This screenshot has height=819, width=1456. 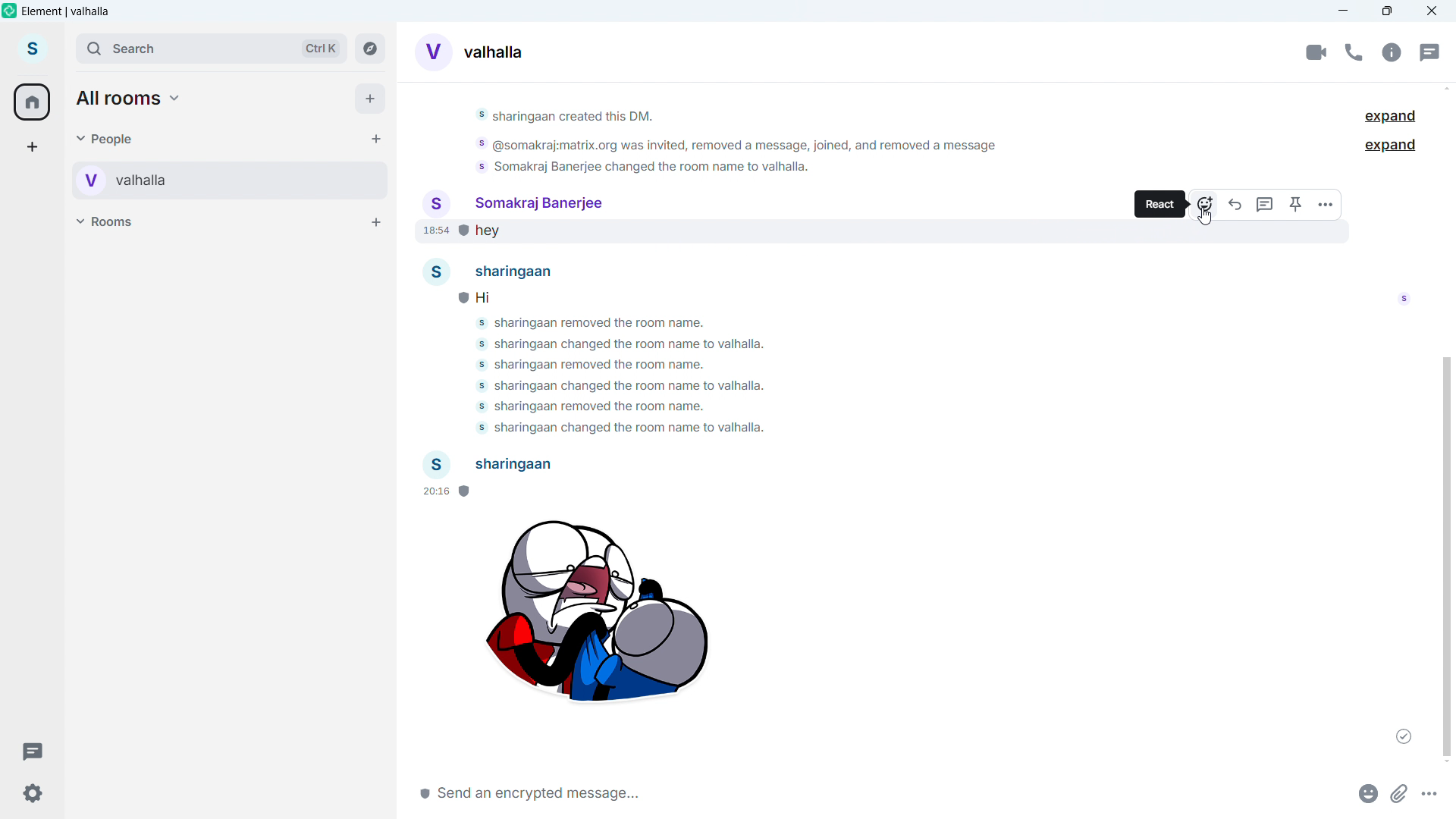 What do you see at coordinates (33, 50) in the screenshot?
I see `account` at bounding box center [33, 50].